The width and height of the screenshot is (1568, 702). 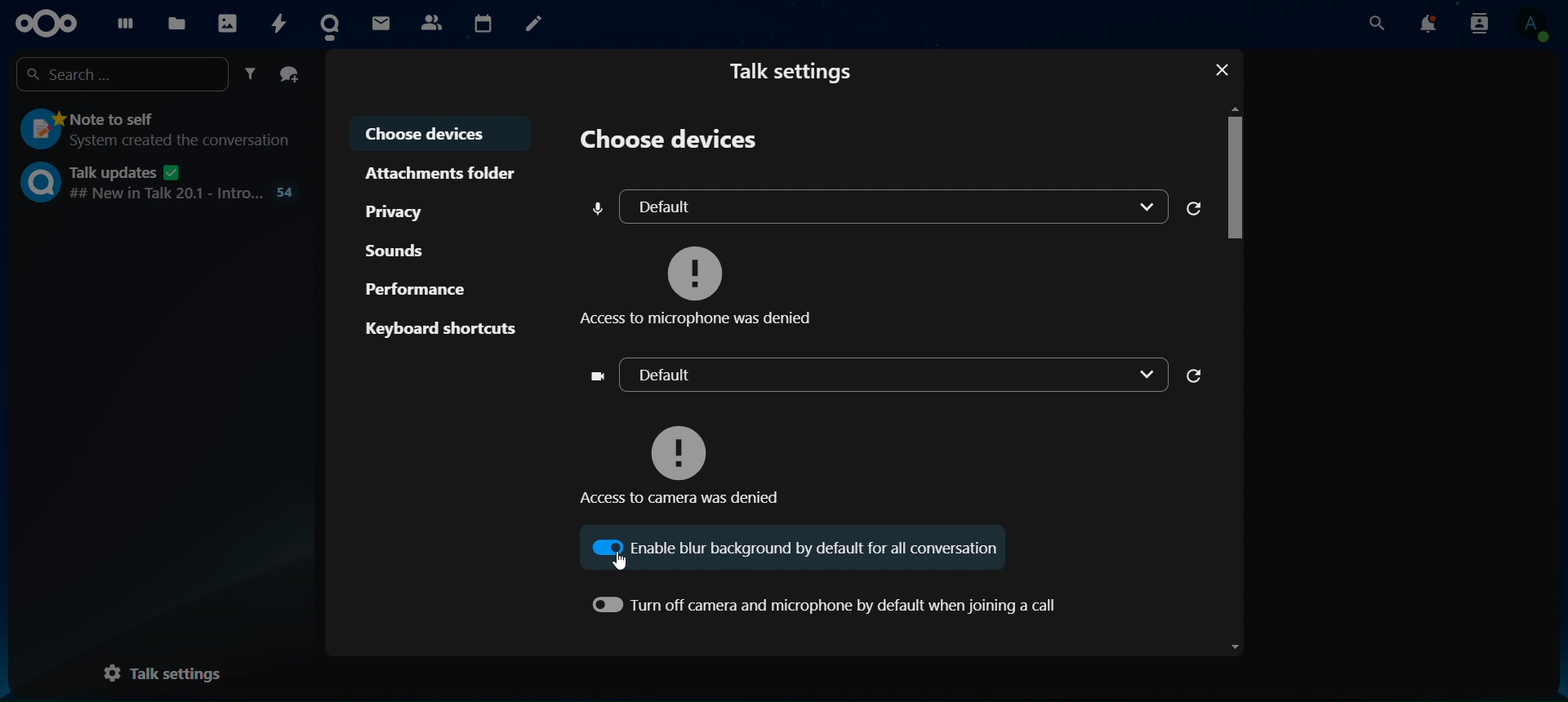 I want to click on Nextcloud logo, so click(x=42, y=22).